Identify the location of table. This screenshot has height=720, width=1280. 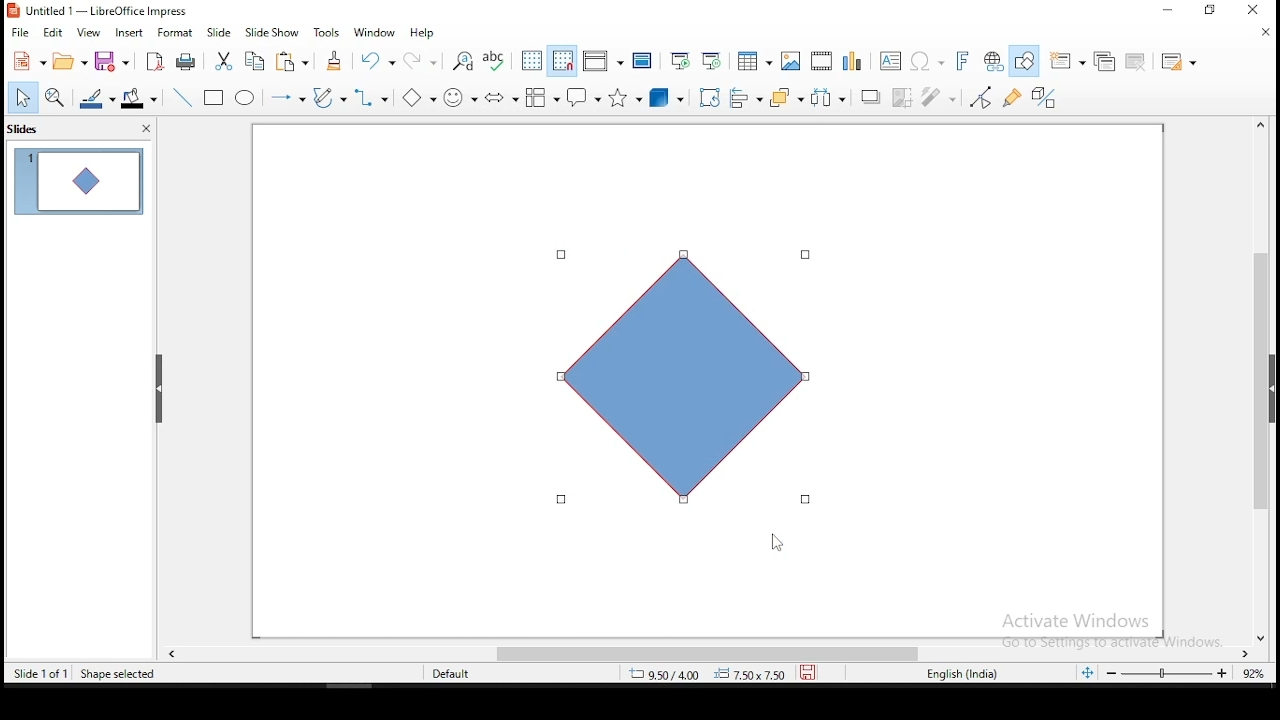
(755, 59).